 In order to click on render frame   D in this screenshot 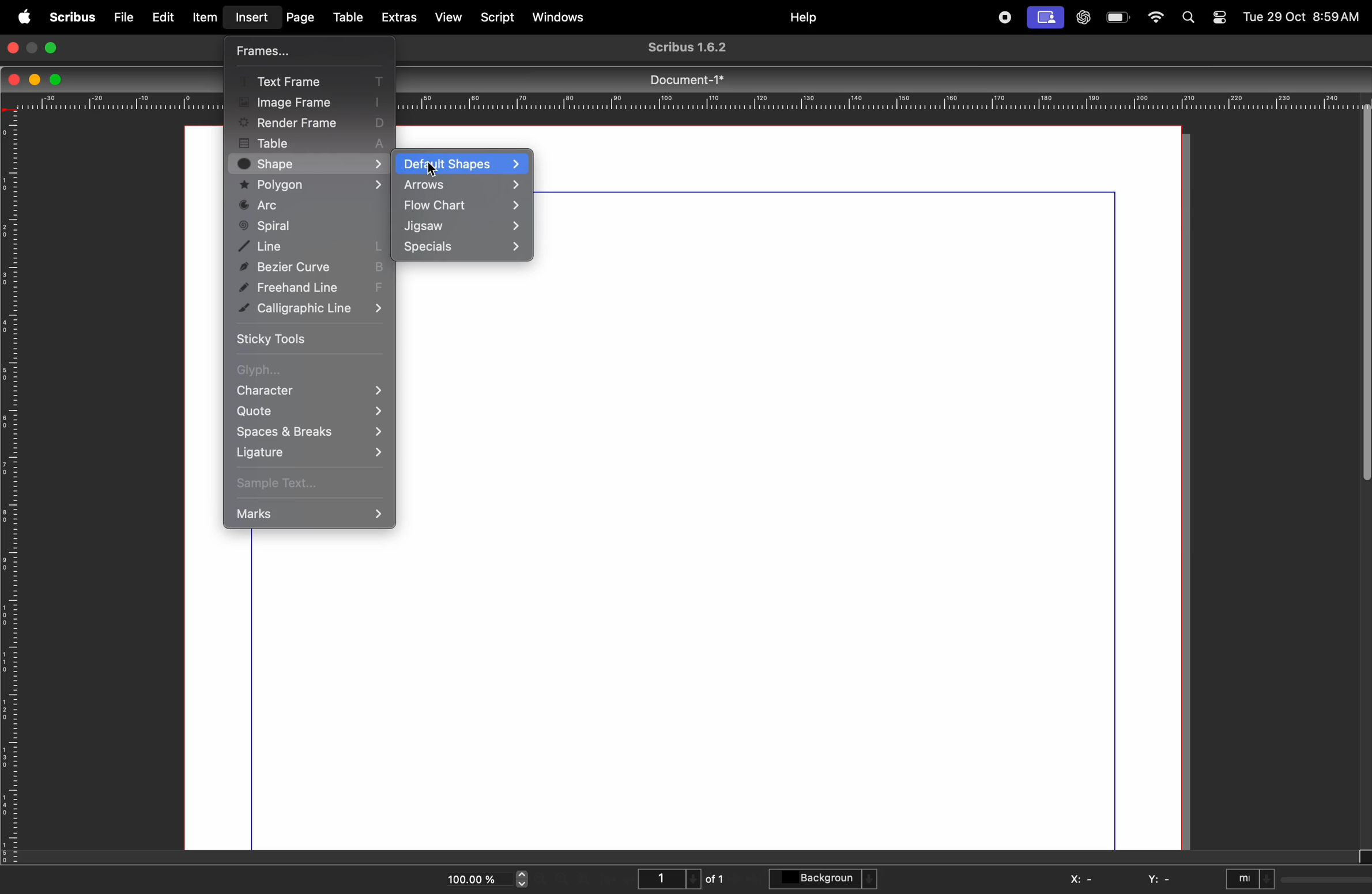, I will do `click(313, 122)`.